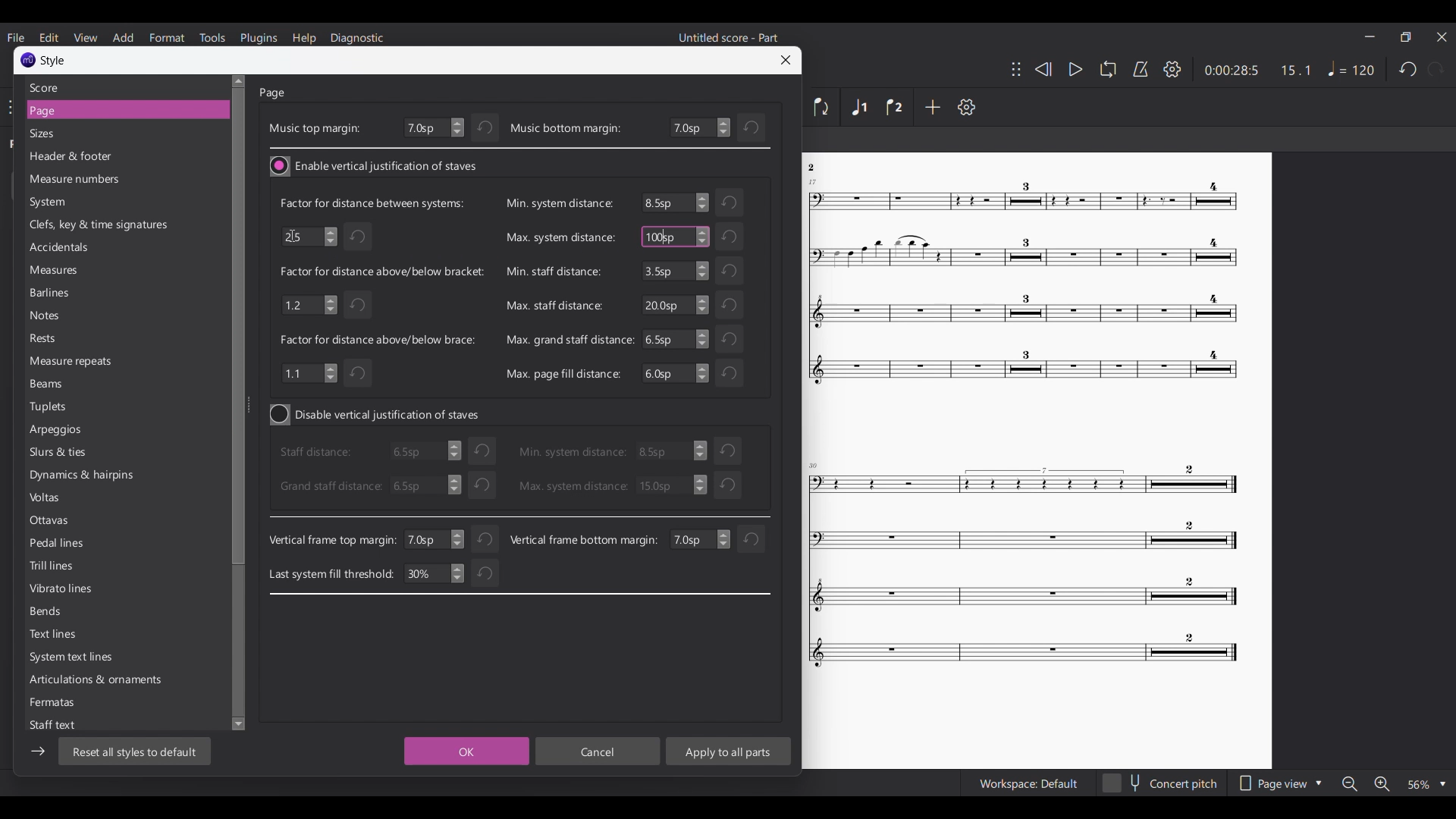 This screenshot has height=819, width=1456. Describe the element at coordinates (15, 37) in the screenshot. I see `File menu` at that location.